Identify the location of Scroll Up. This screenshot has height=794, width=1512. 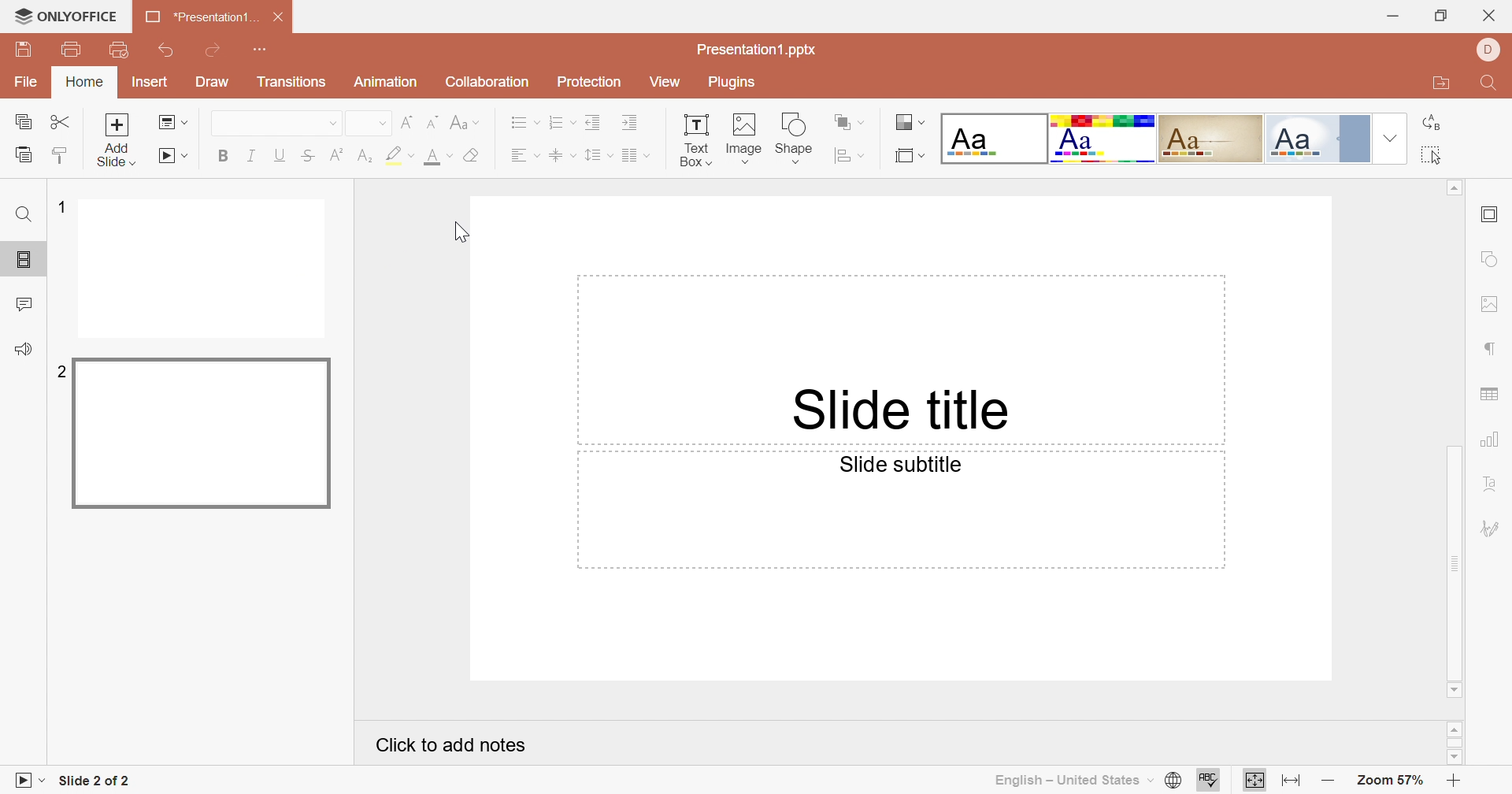
(1449, 728).